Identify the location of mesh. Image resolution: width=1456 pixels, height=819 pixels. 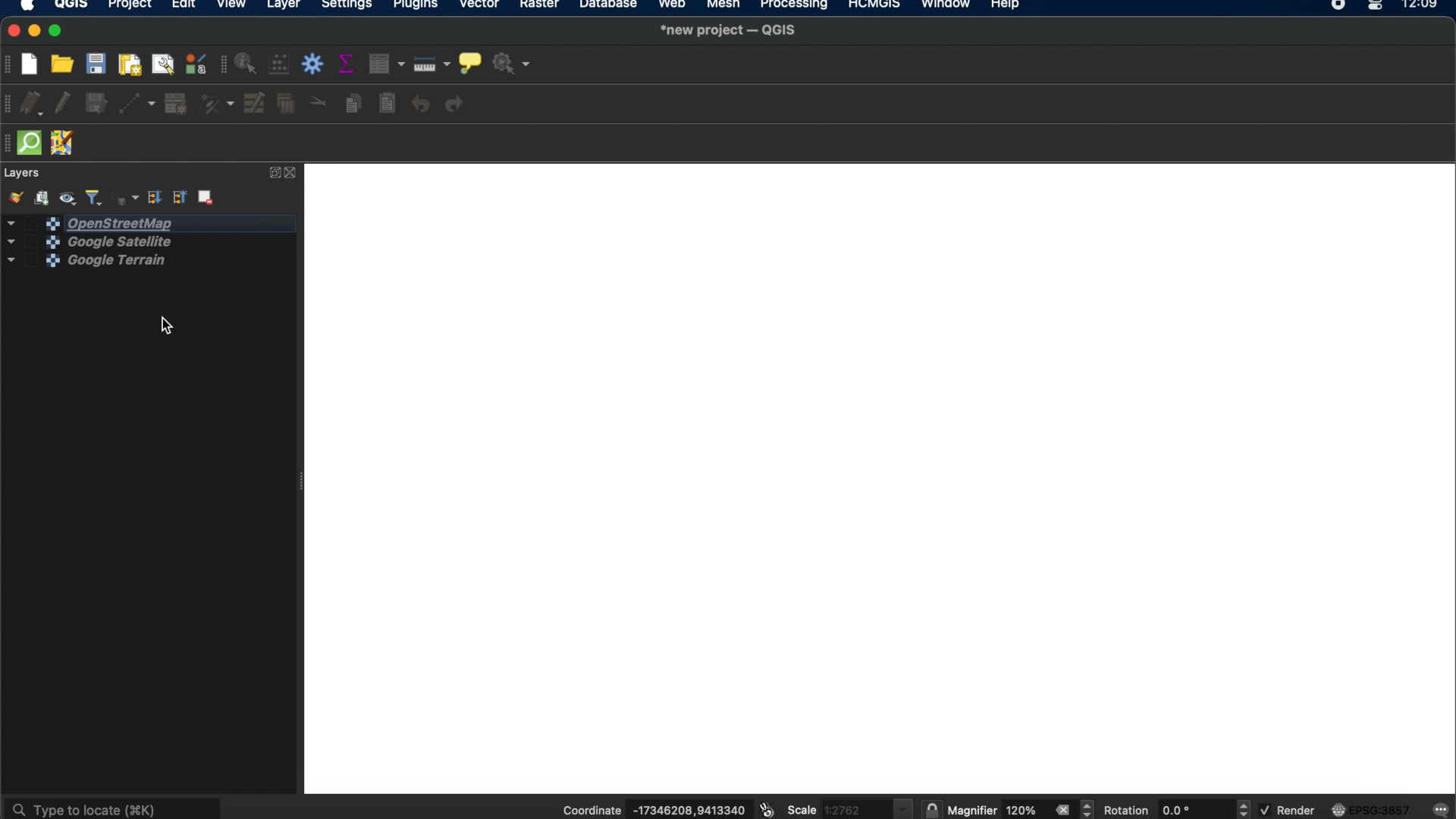
(722, 6).